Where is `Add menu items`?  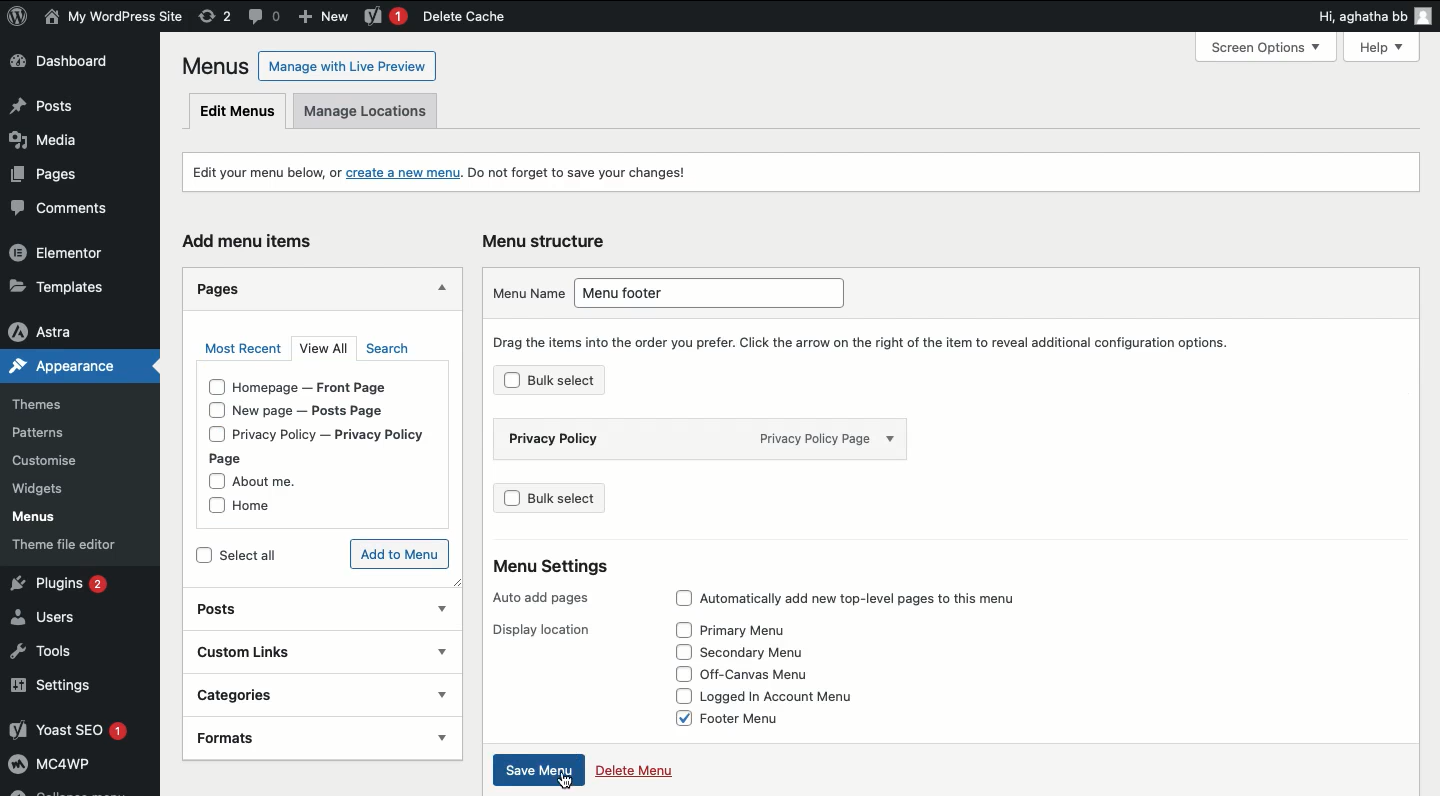
Add menu items is located at coordinates (252, 240).